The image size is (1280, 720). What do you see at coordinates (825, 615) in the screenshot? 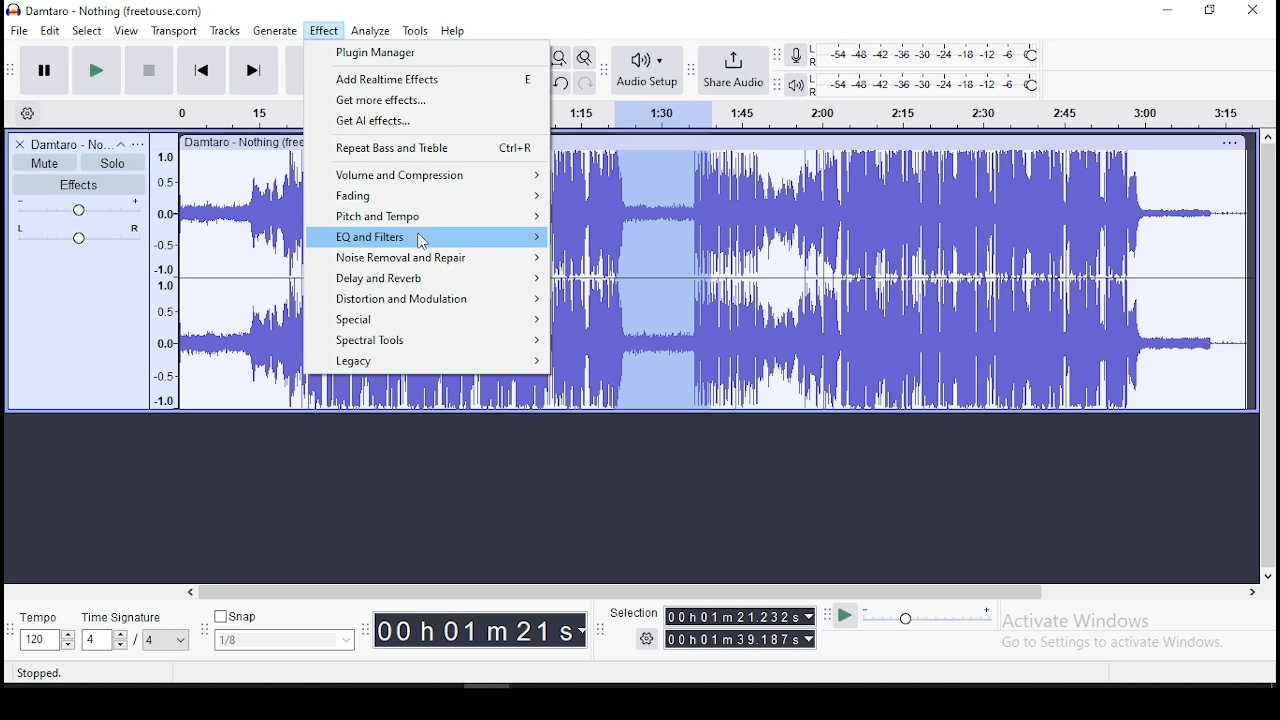
I see `` at bounding box center [825, 615].